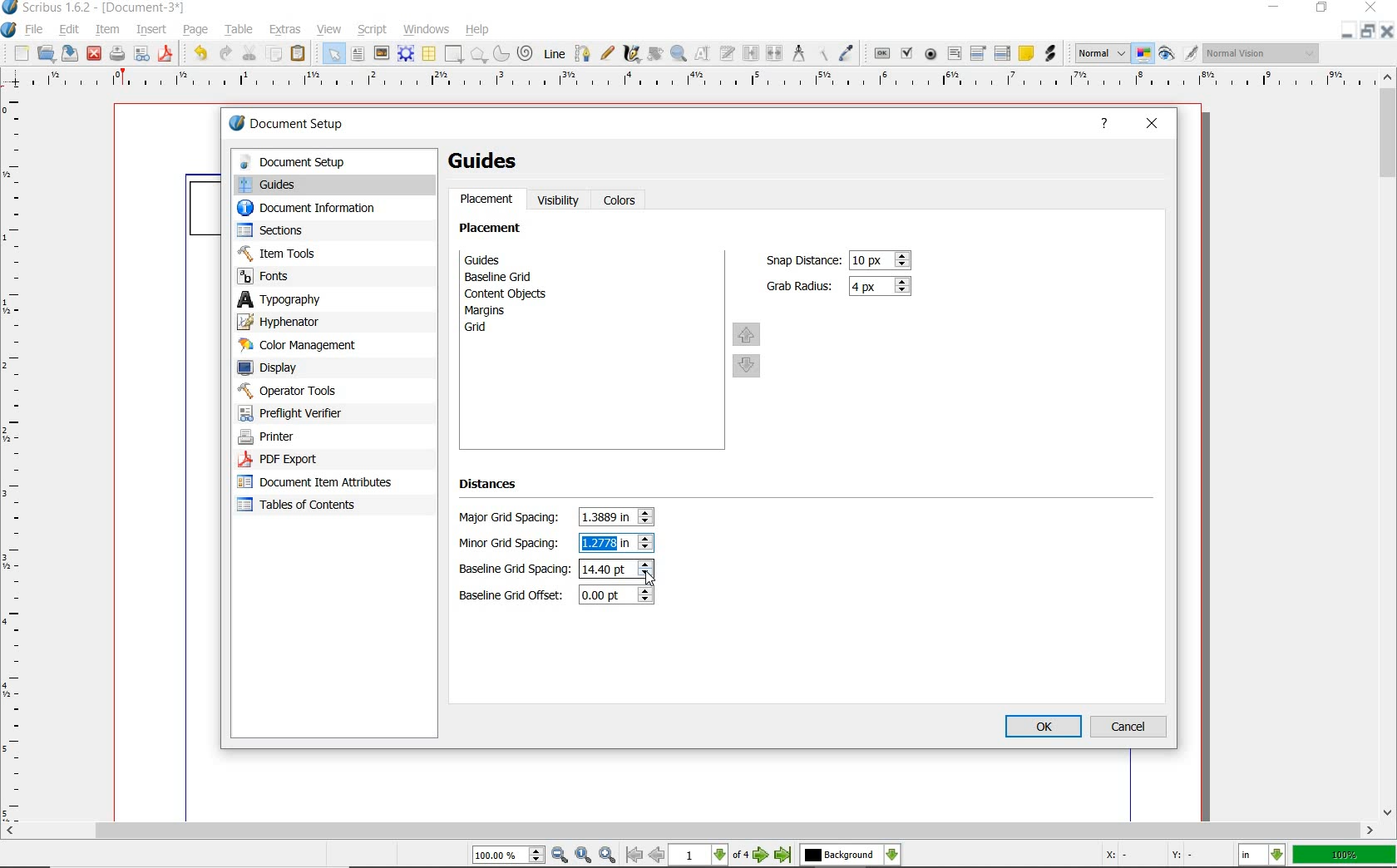 The height and width of the screenshot is (868, 1397). Describe the element at coordinates (513, 518) in the screenshot. I see `Major Grid Spacing:` at that location.